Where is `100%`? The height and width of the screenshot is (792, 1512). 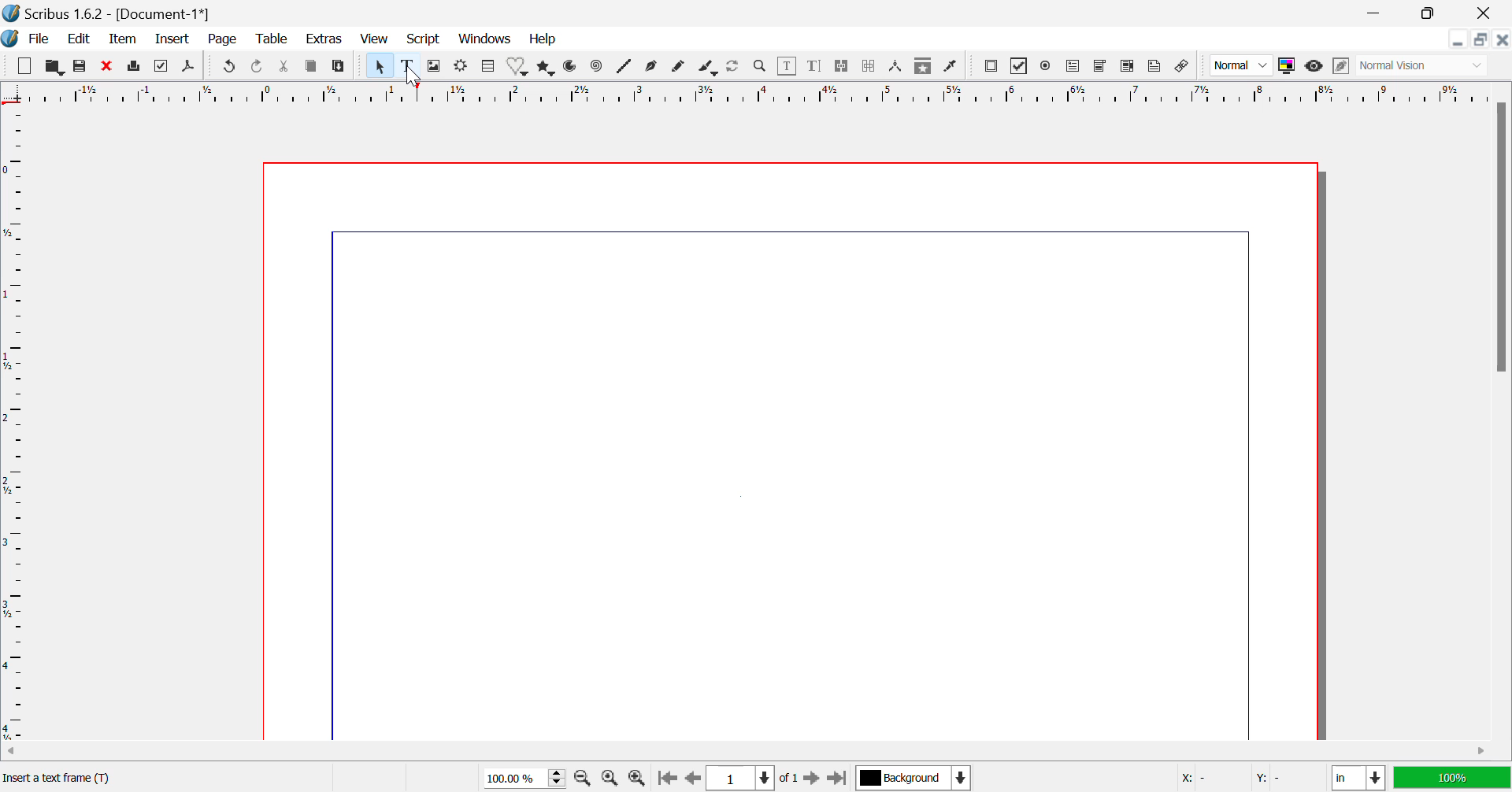 100% is located at coordinates (1451, 778).